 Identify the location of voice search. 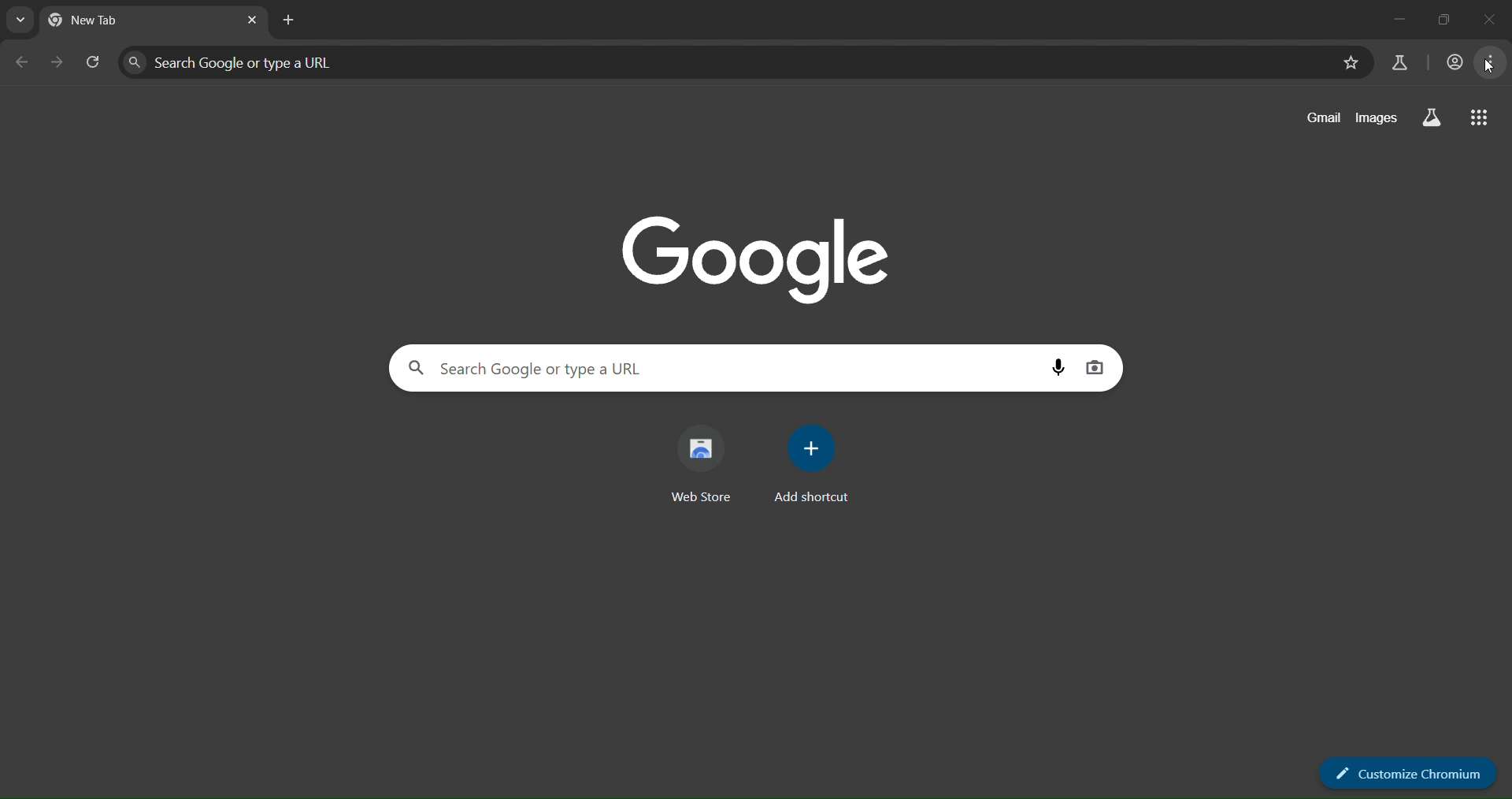
(1059, 367).